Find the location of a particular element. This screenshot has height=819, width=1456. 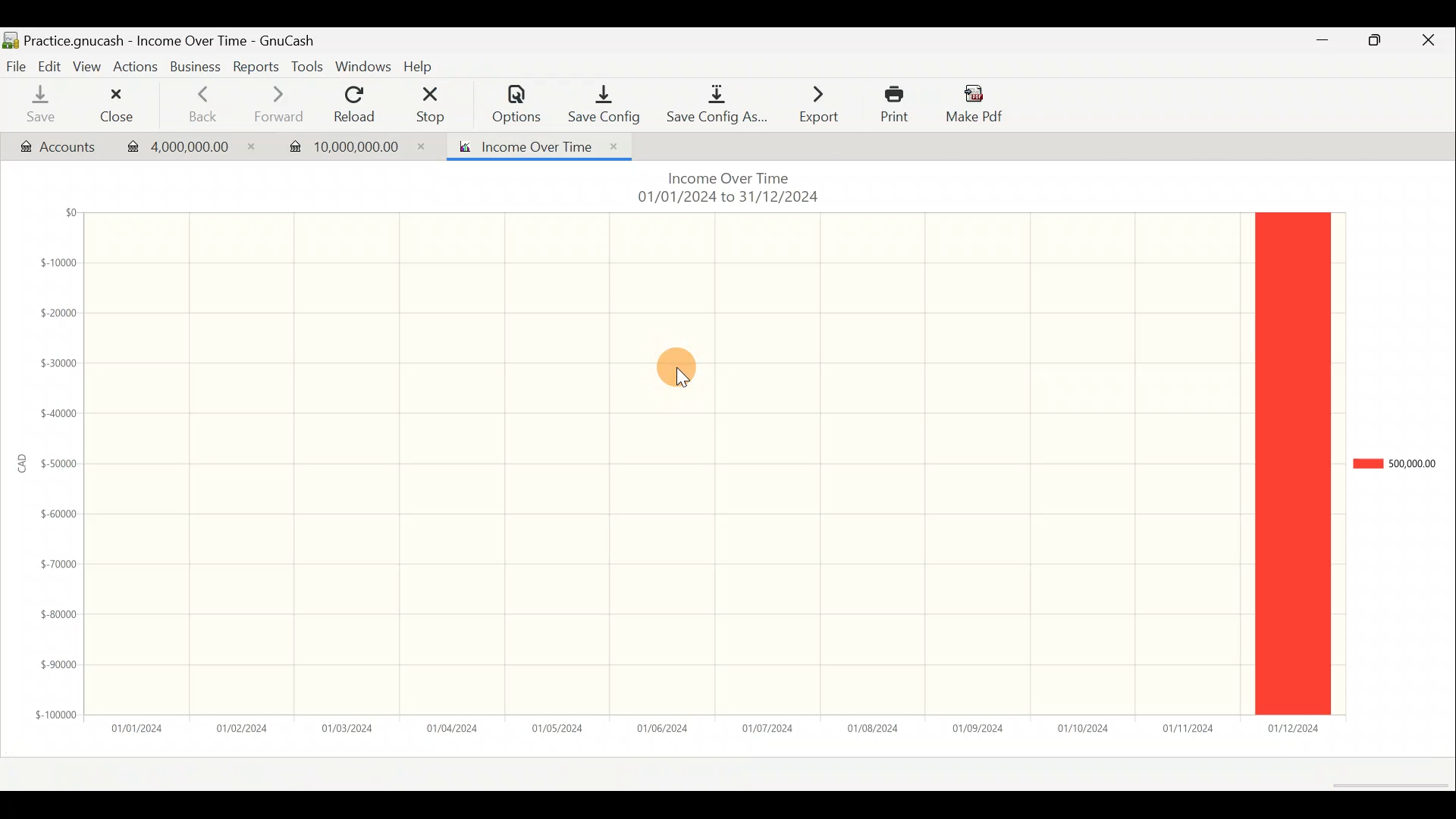

$-50000 is located at coordinates (58, 461).